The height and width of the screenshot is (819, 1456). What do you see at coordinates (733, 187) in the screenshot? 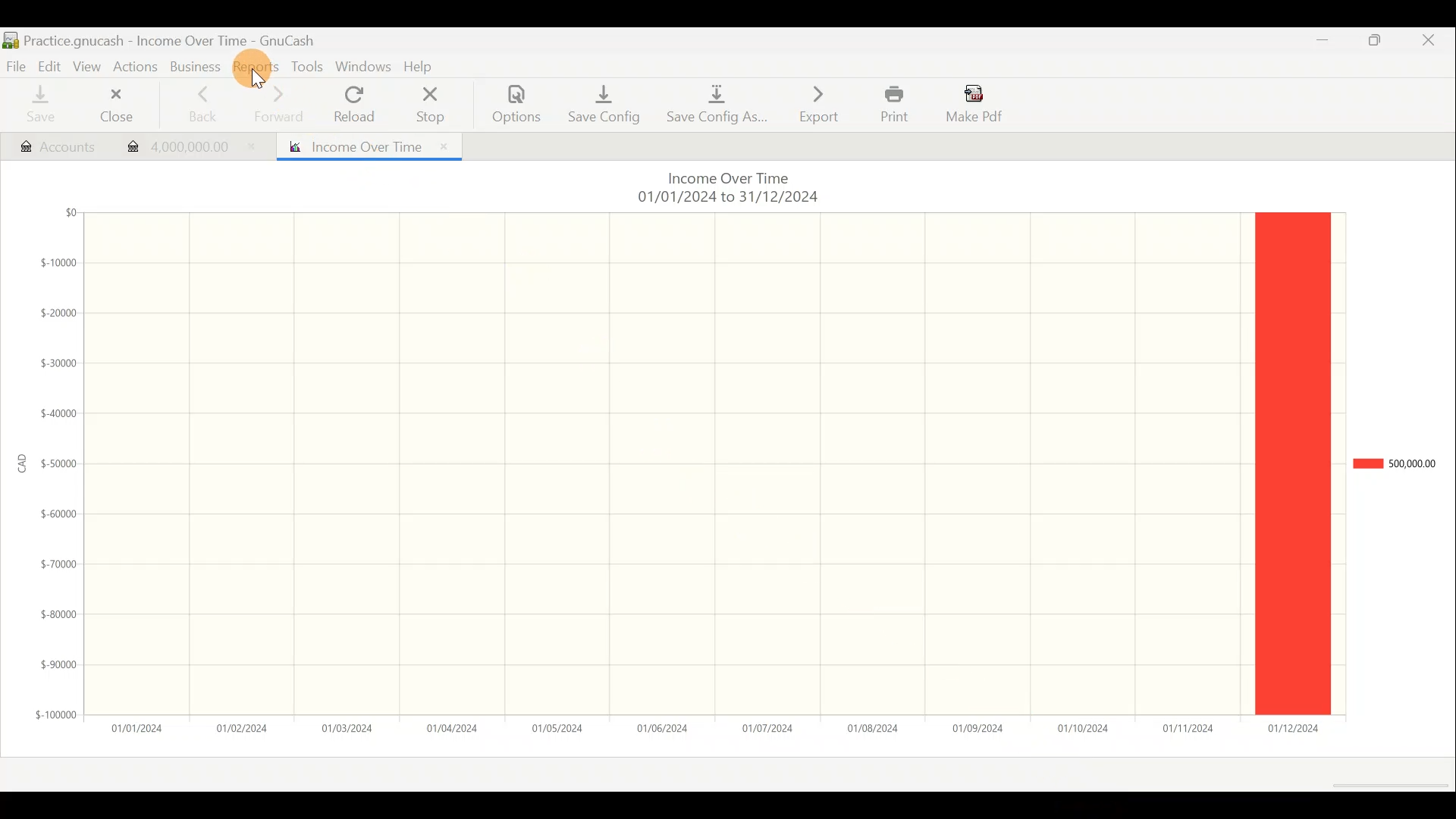
I see `Chart title & date range` at bounding box center [733, 187].